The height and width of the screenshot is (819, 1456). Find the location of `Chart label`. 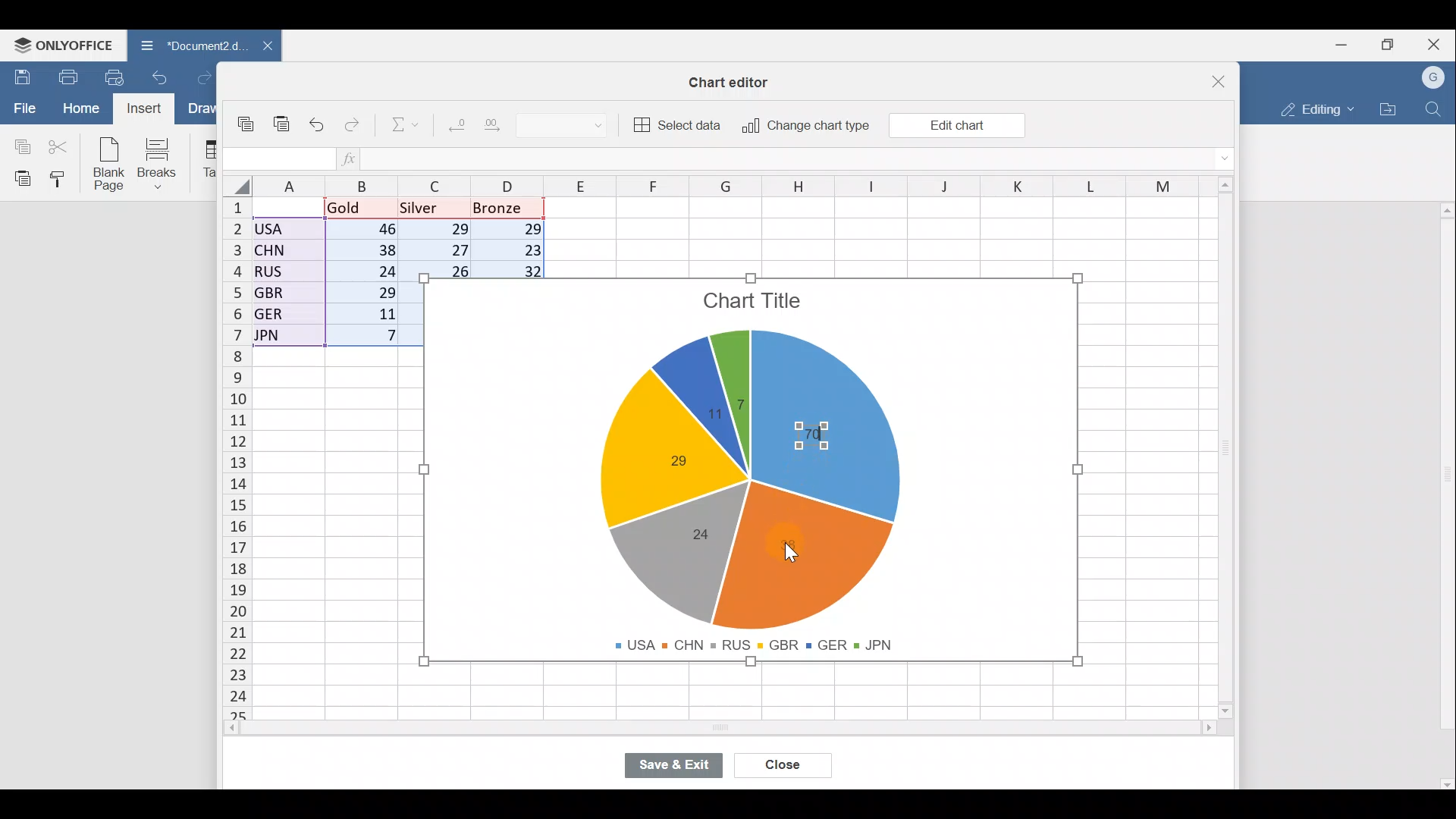

Chart label is located at coordinates (708, 419).